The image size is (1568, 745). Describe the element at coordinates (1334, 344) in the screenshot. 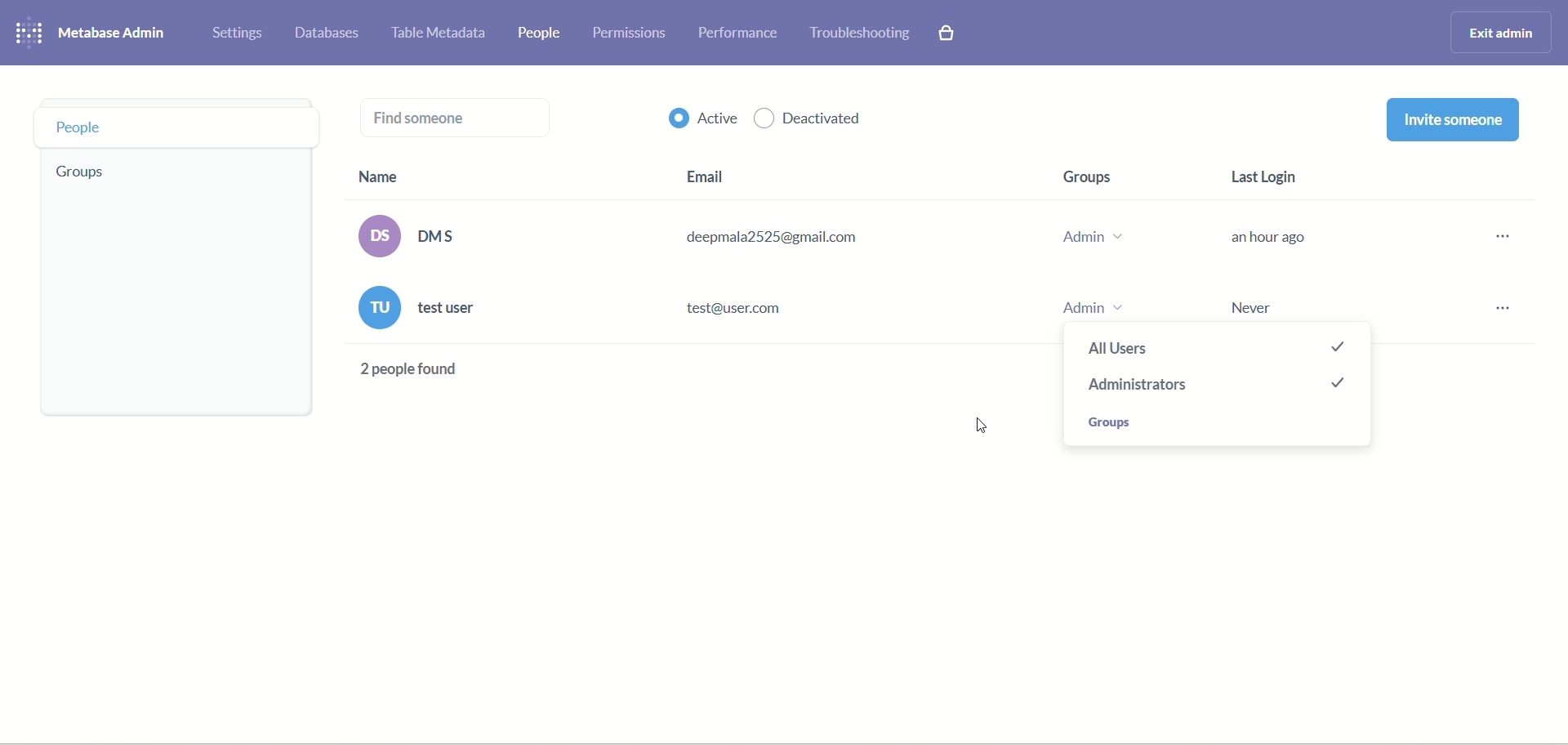

I see `checked` at that location.